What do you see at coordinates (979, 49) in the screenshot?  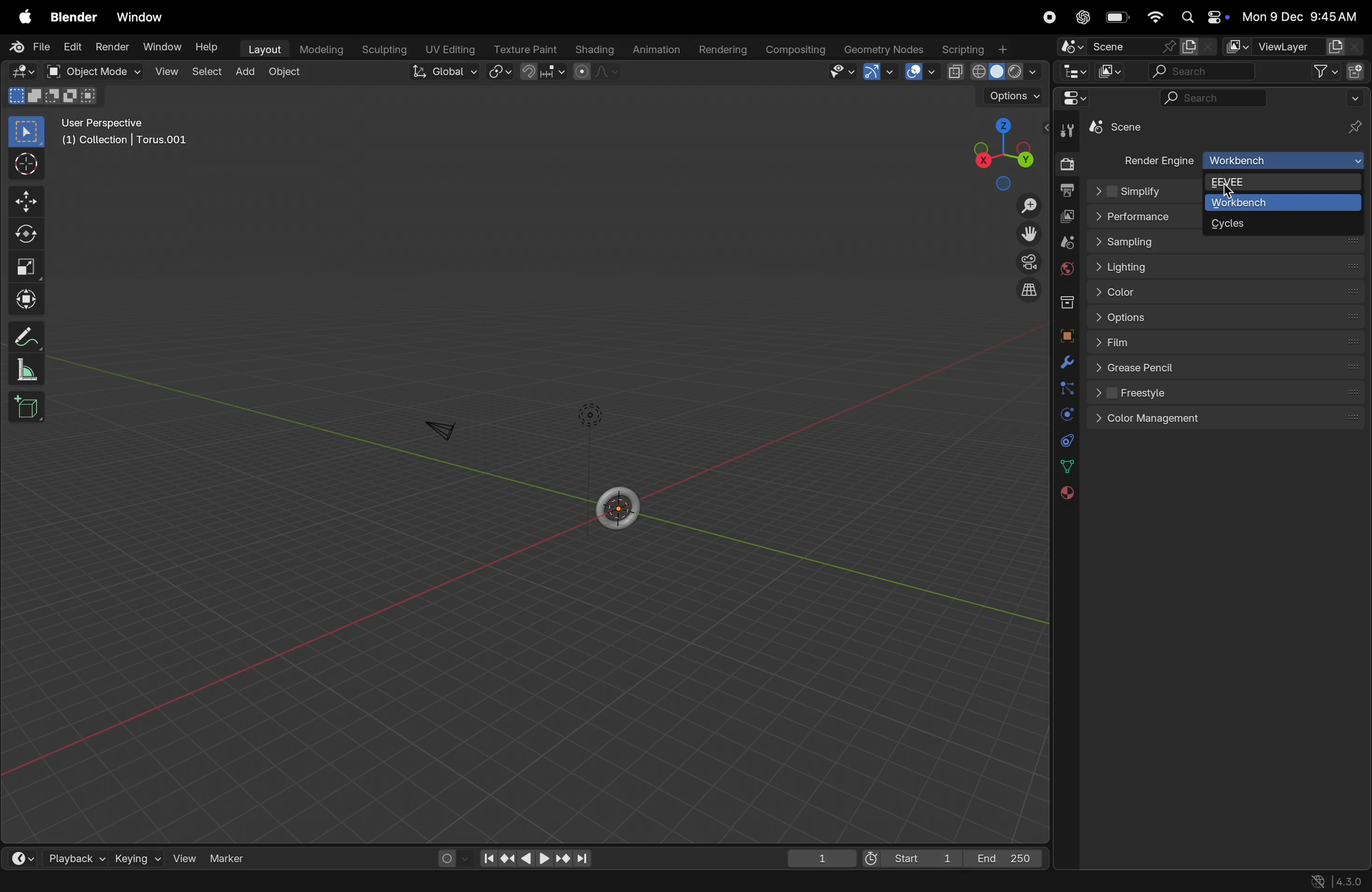 I see `Scripting` at bounding box center [979, 49].